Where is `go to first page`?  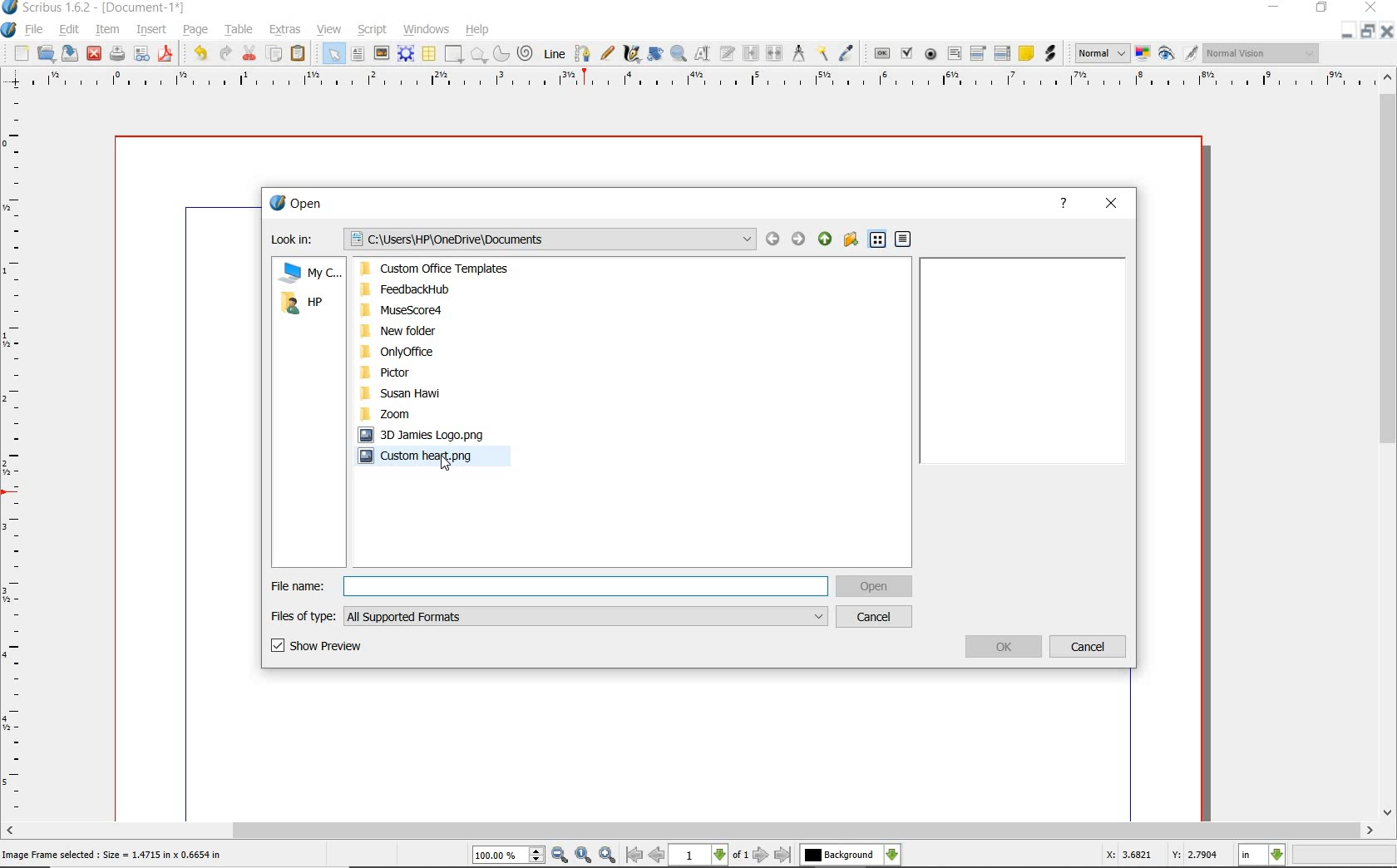
go to first page is located at coordinates (634, 856).